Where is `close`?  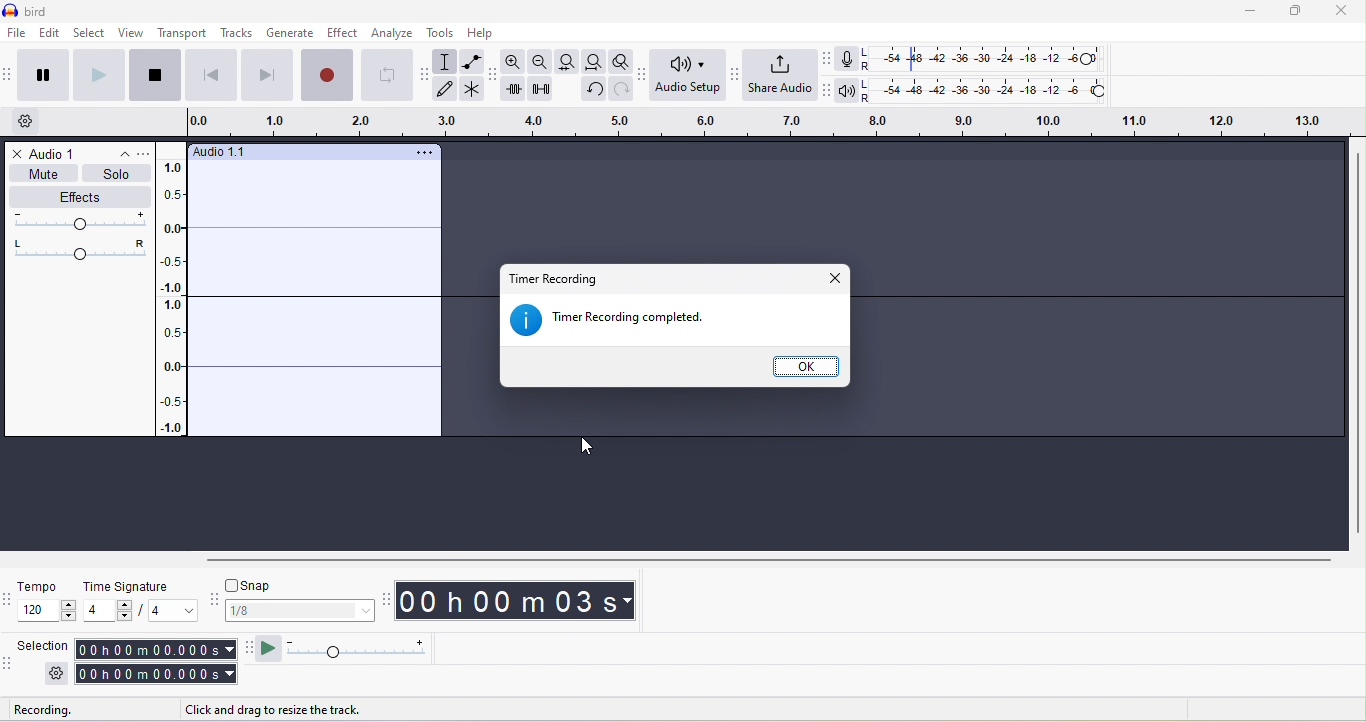 close is located at coordinates (807, 366).